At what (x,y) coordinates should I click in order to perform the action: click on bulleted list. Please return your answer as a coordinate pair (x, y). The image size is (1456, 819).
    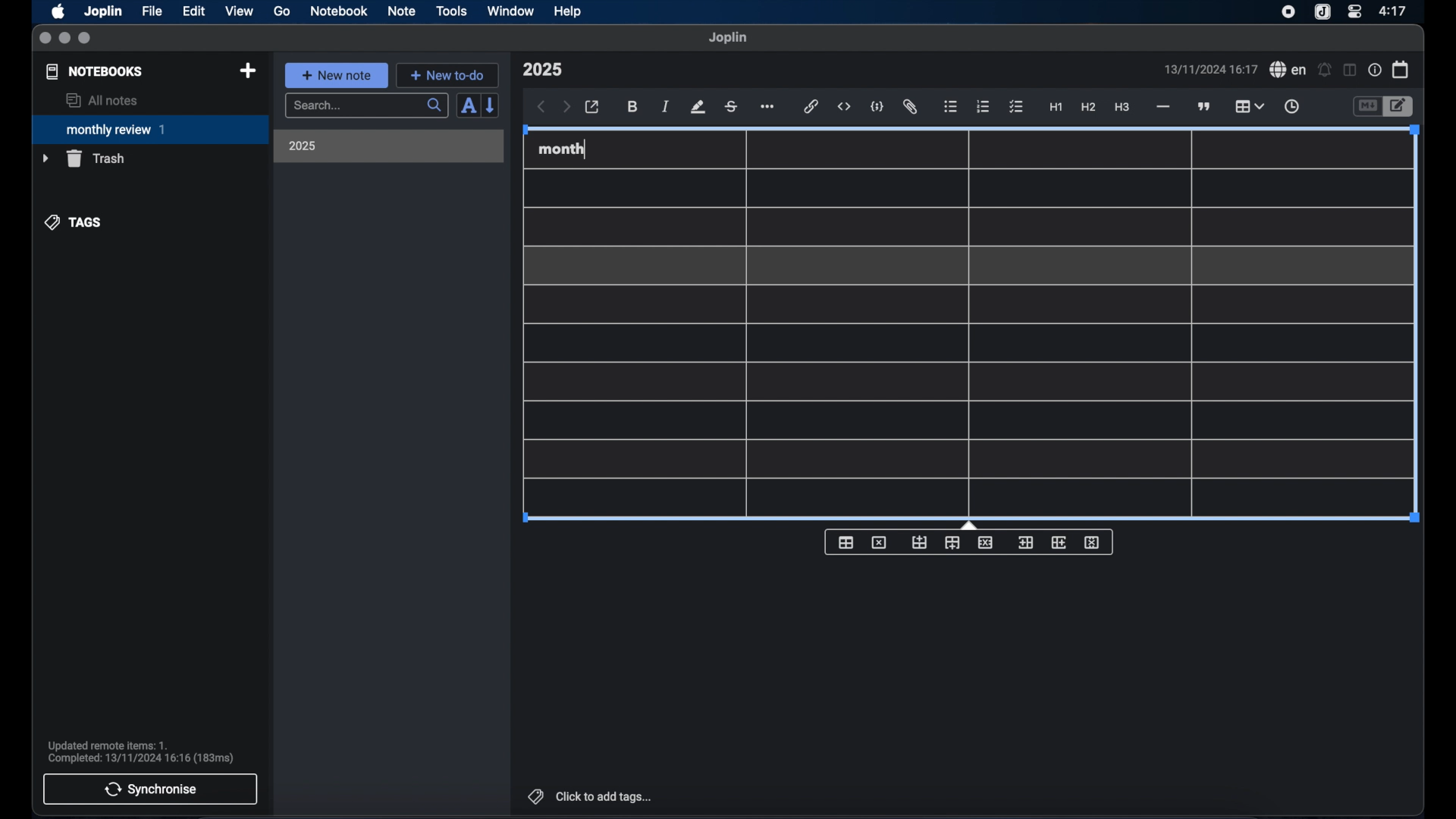
    Looking at the image, I should click on (950, 107).